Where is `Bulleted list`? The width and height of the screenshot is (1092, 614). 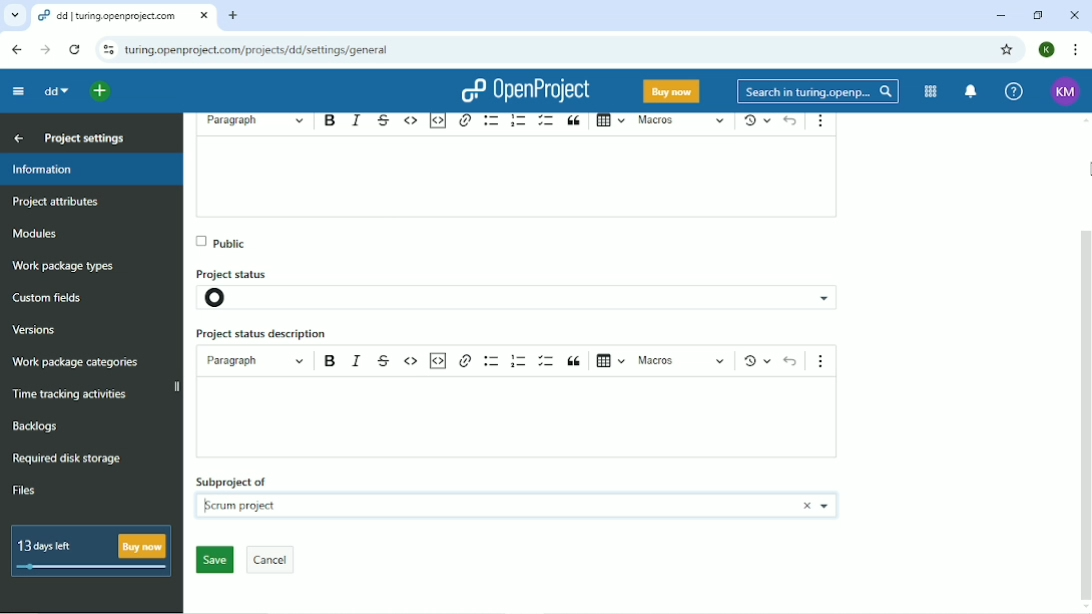 Bulleted list is located at coordinates (490, 122).